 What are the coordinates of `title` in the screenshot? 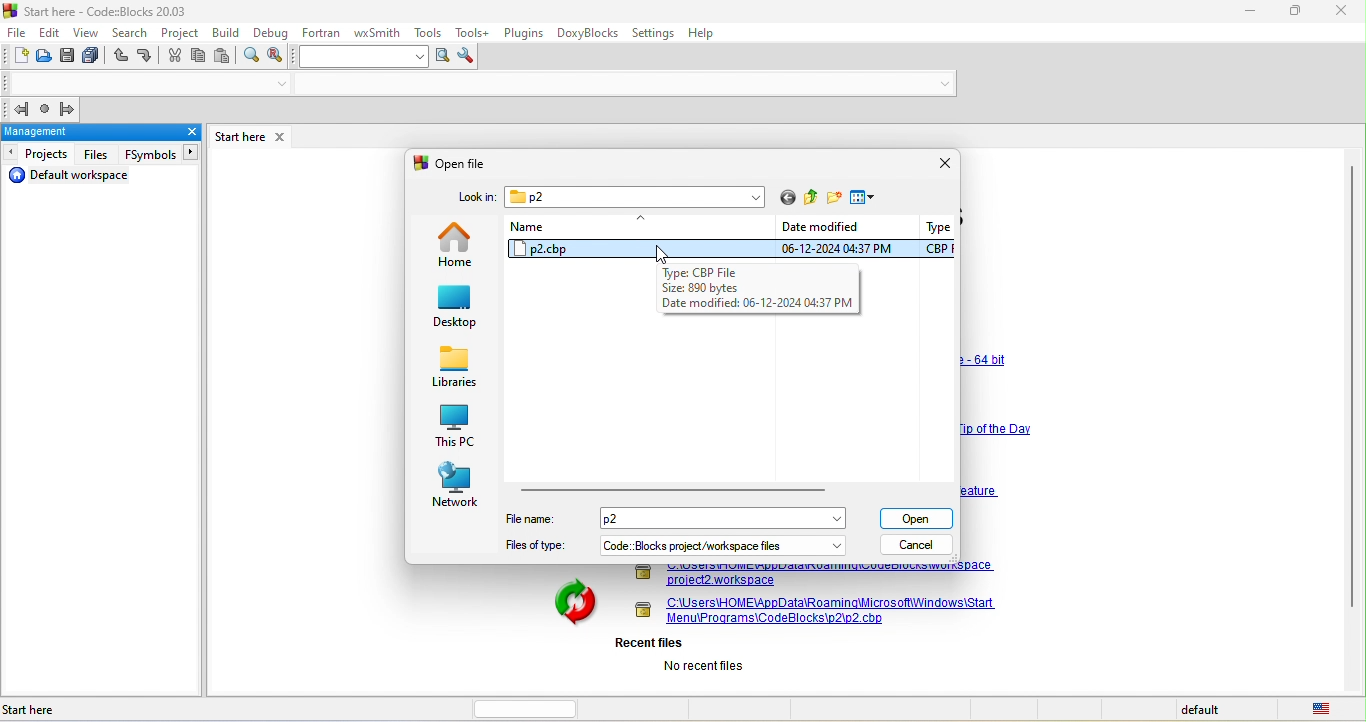 It's located at (98, 11).